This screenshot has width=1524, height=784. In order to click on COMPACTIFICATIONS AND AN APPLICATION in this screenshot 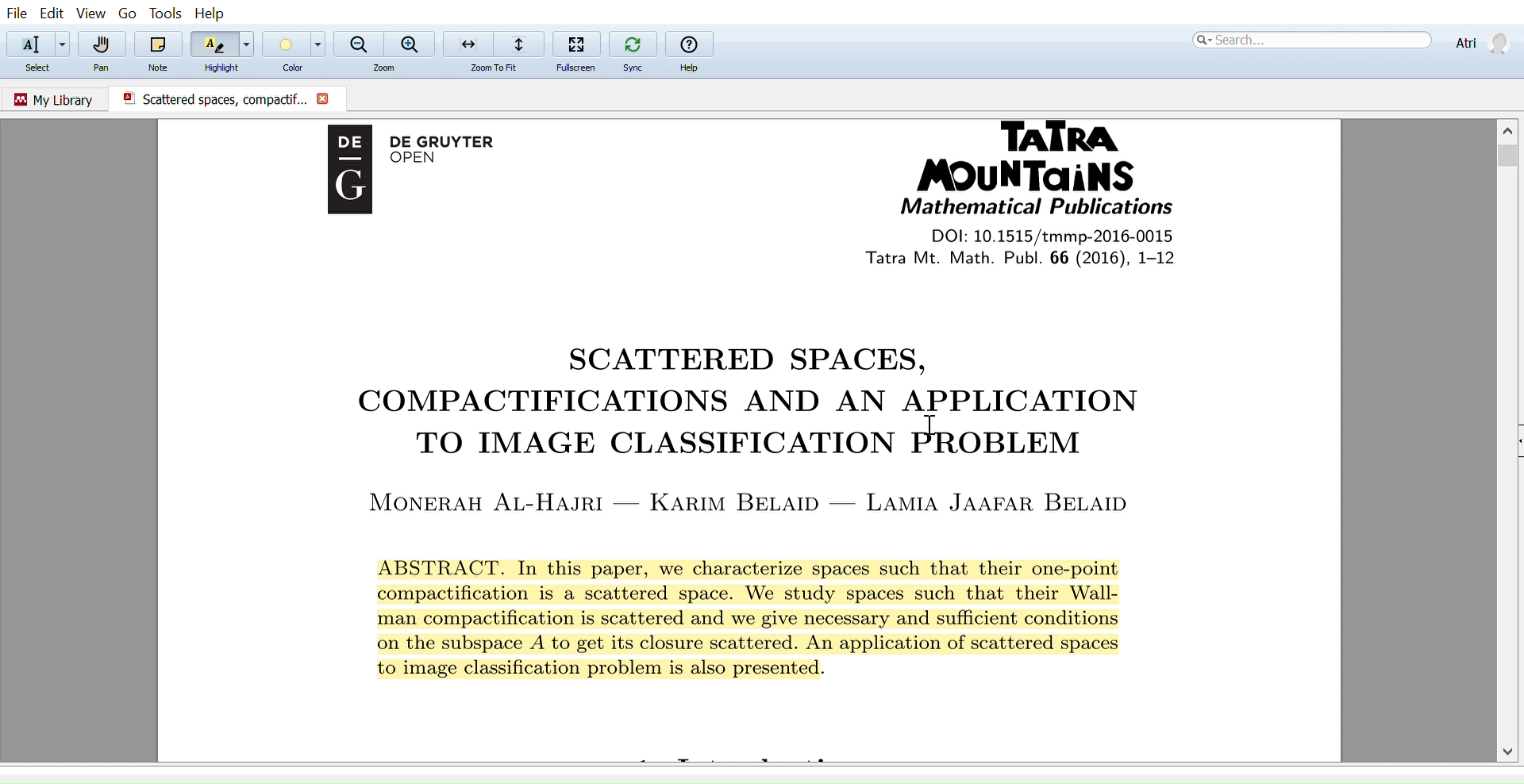, I will do `click(733, 404)`.